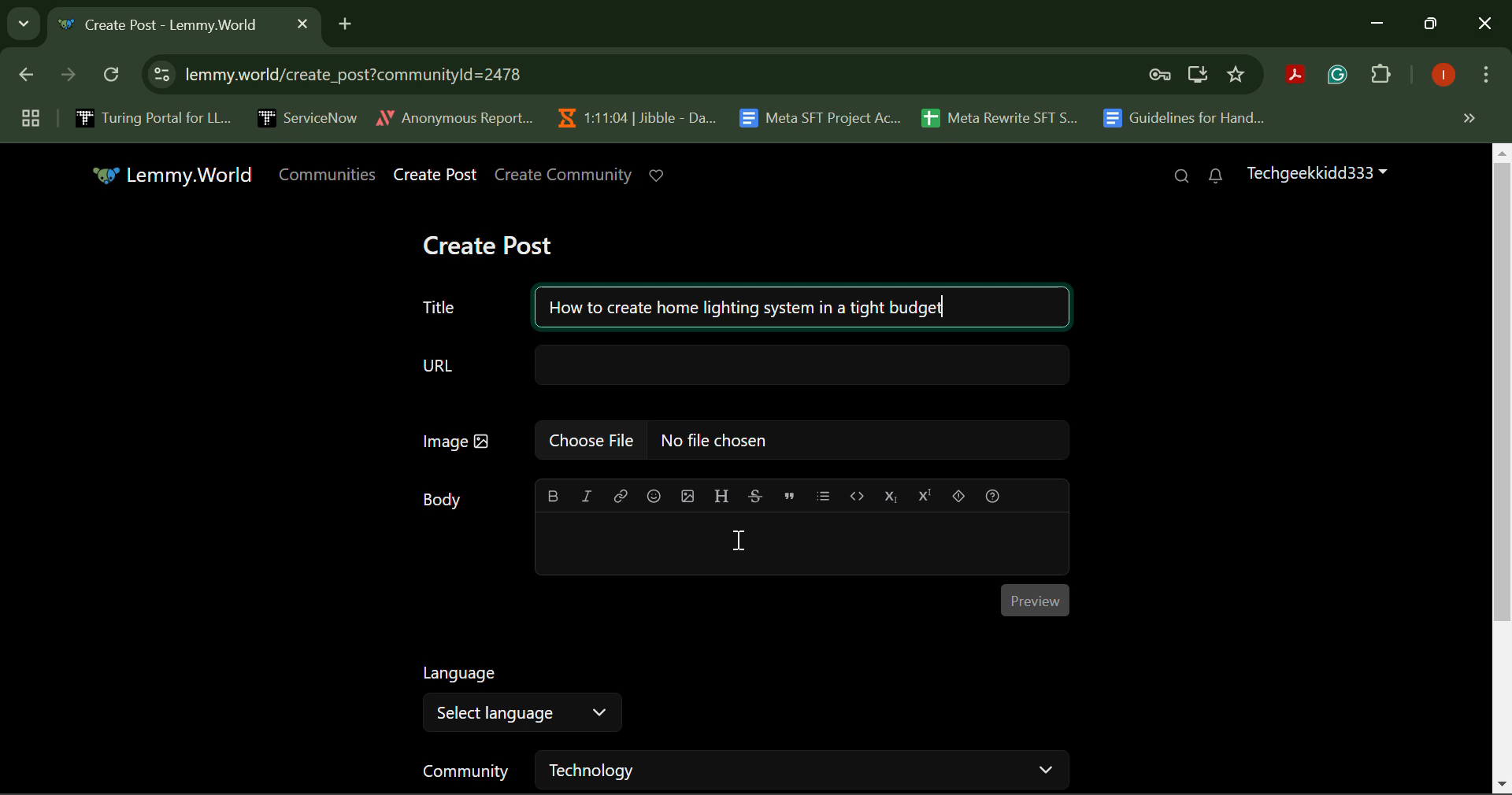 This screenshot has width=1512, height=795. I want to click on Refresh Page , so click(113, 76).